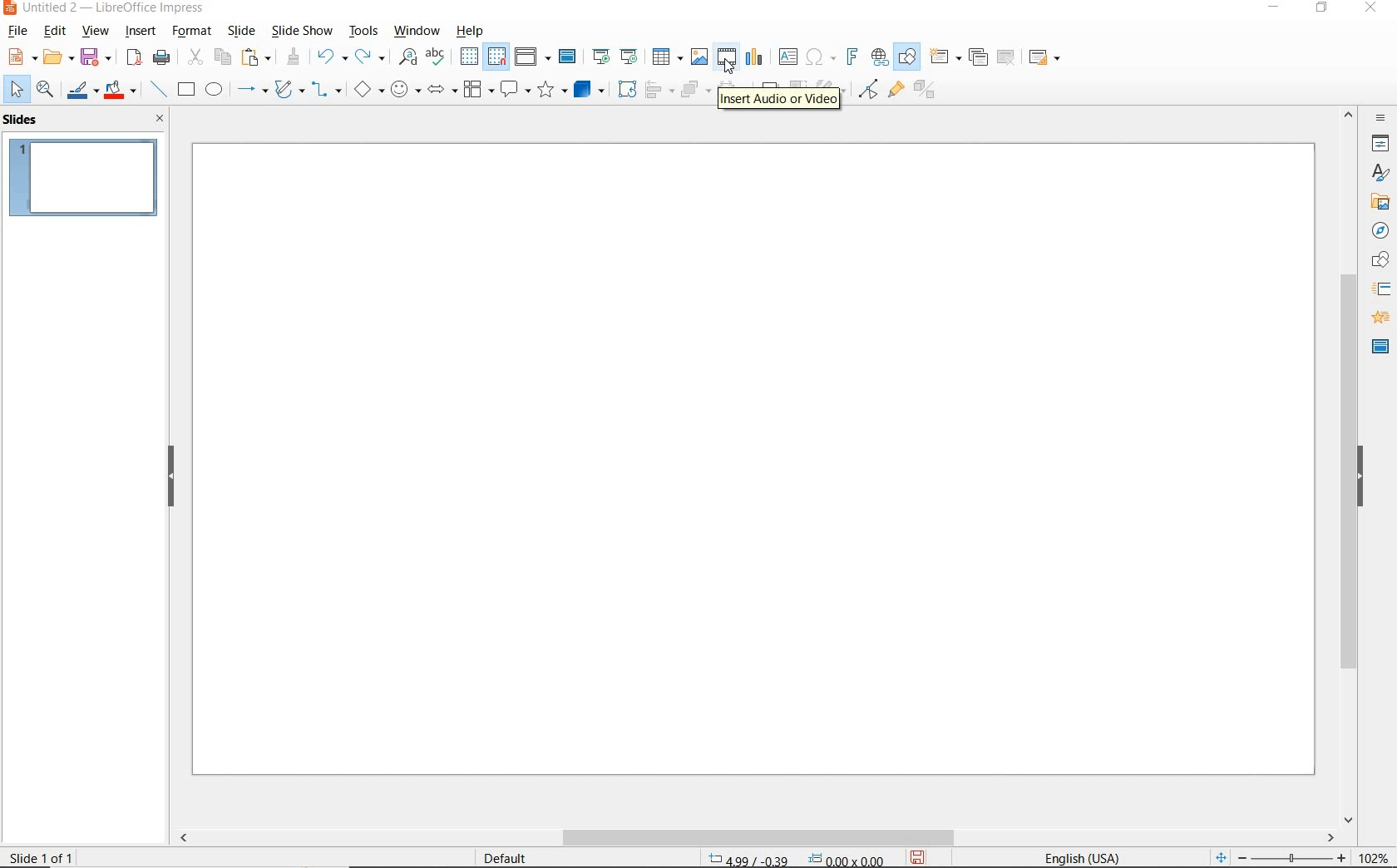 The height and width of the screenshot is (868, 1397). Describe the element at coordinates (659, 91) in the screenshot. I see `ALIGN OBJECTS` at that location.